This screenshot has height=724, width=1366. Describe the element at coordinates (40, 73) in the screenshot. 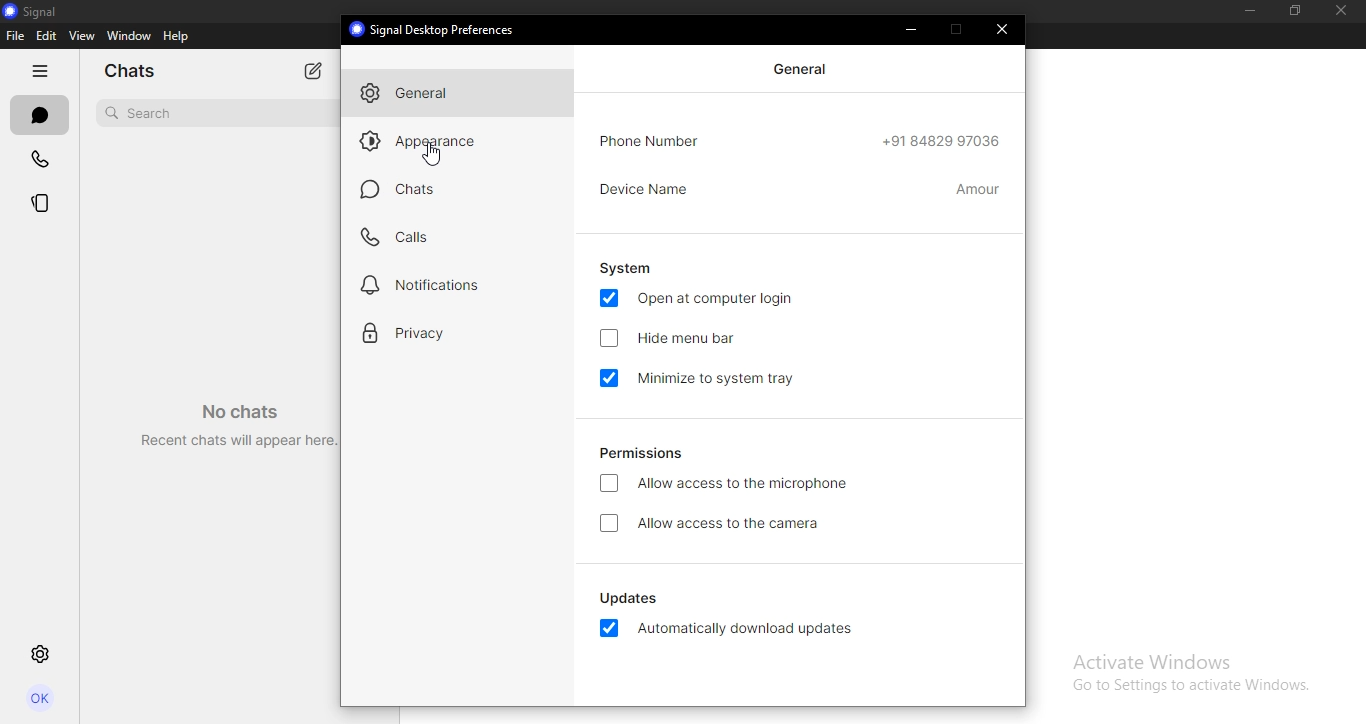

I see `hide tabs` at that location.